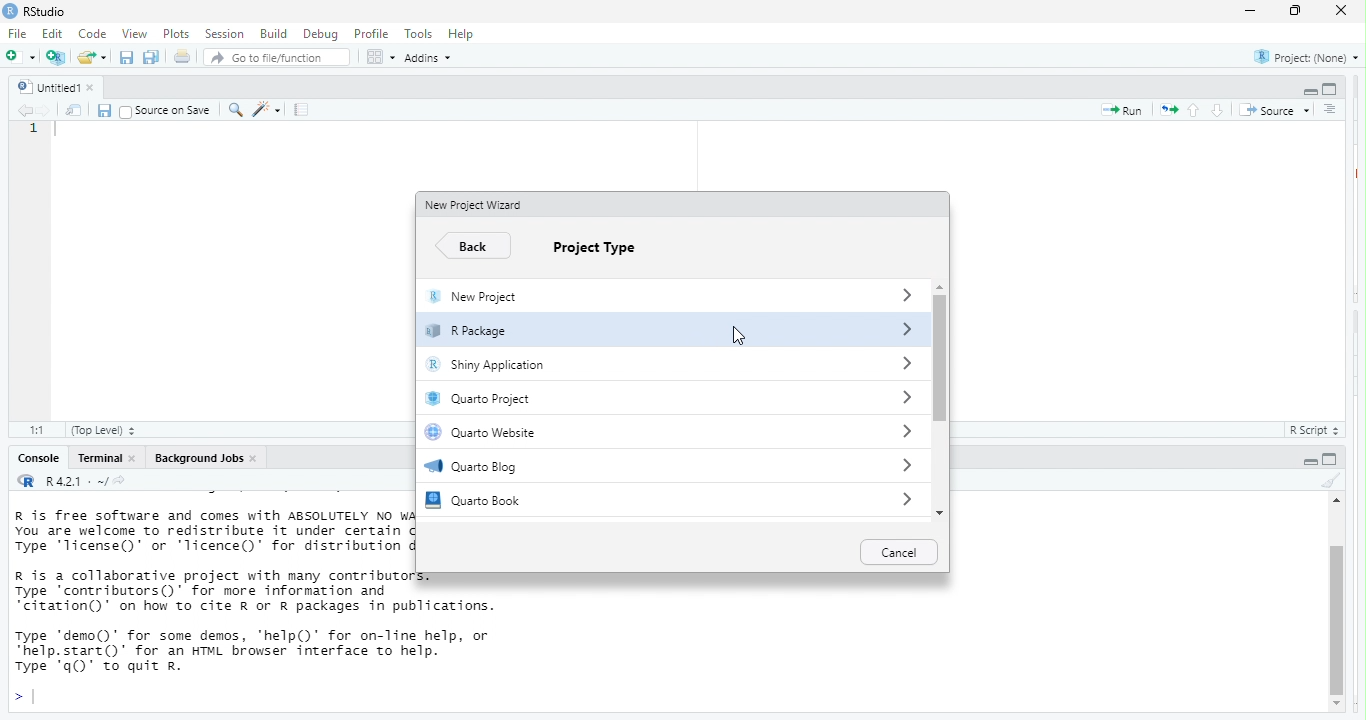  I want to click on Session, so click(224, 34).